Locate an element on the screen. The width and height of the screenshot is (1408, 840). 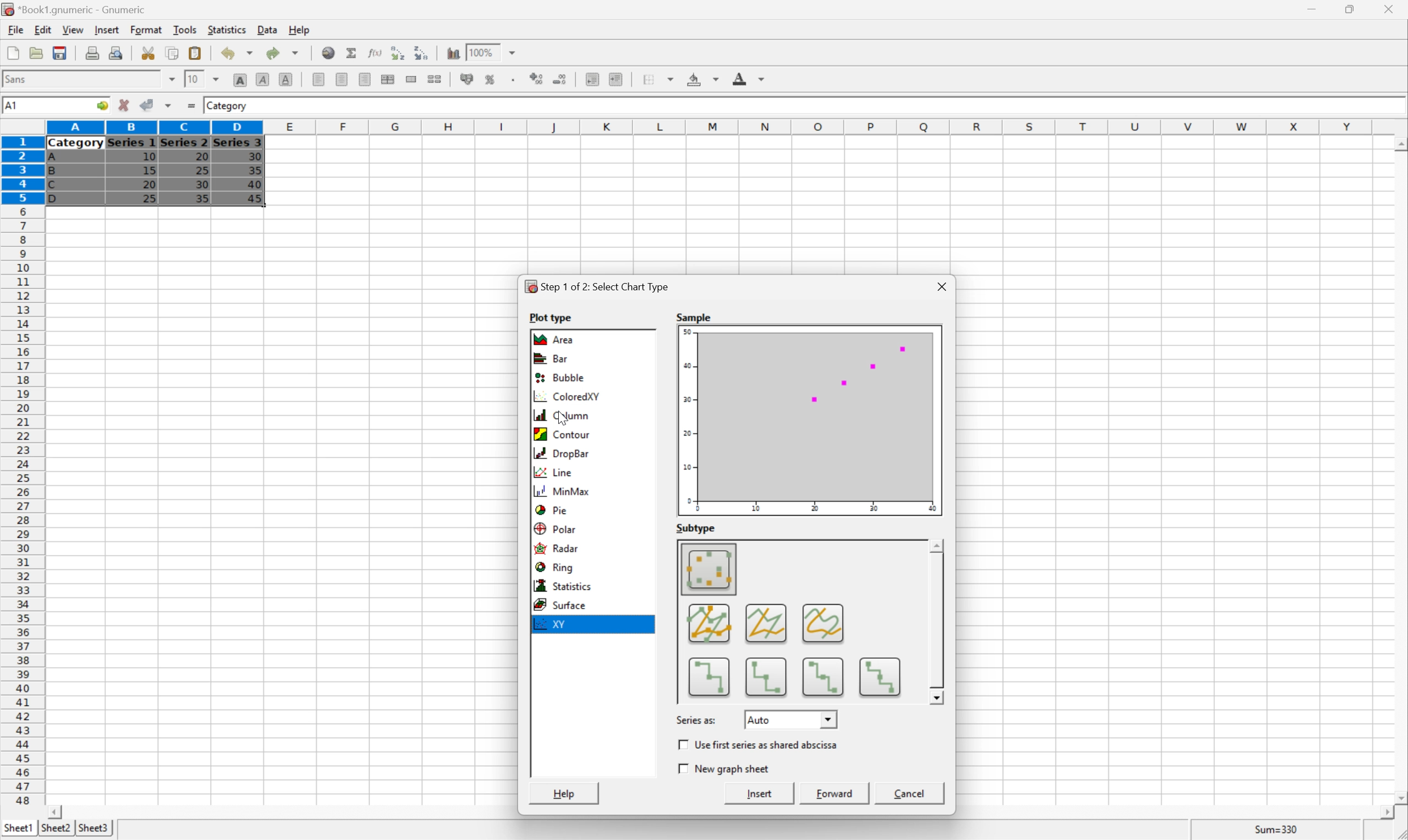
Checkbox is located at coordinates (681, 767).